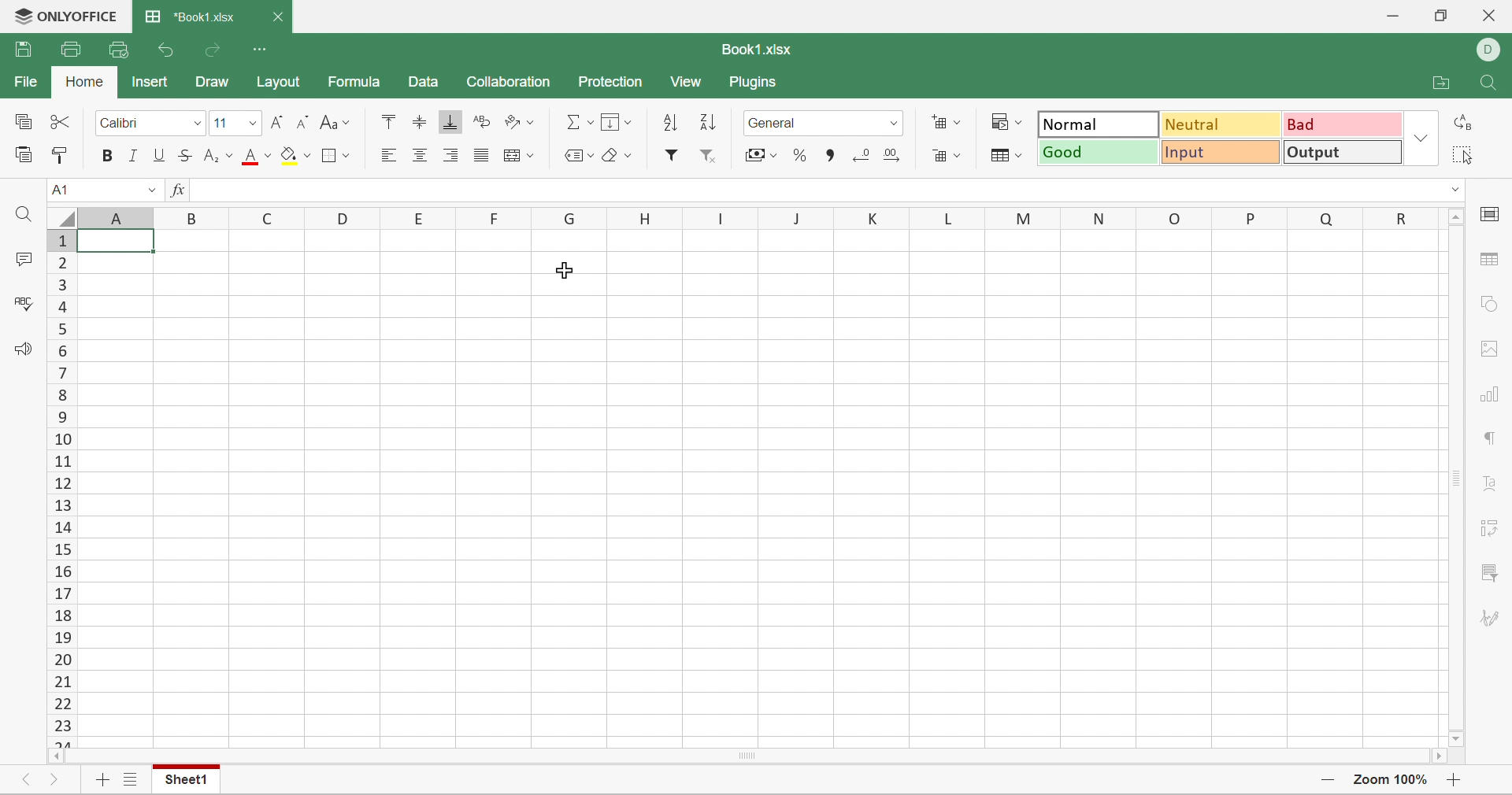 This screenshot has height=795, width=1512. I want to click on K, so click(865, 217).